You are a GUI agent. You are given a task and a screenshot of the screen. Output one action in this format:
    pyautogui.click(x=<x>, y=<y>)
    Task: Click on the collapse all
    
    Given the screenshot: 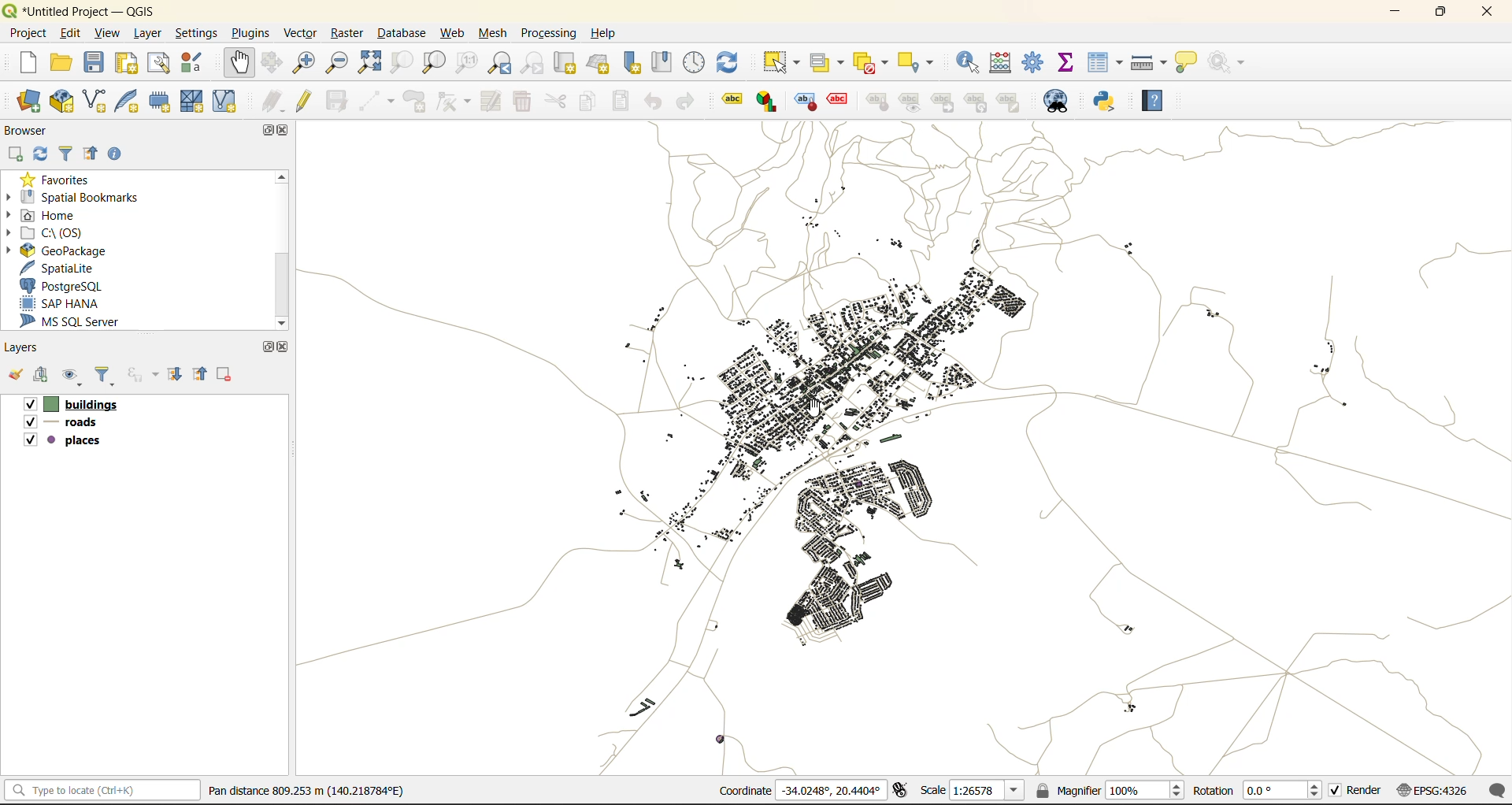 What is the action you would take?
    pyautogui.click(x=93, y=152)
    